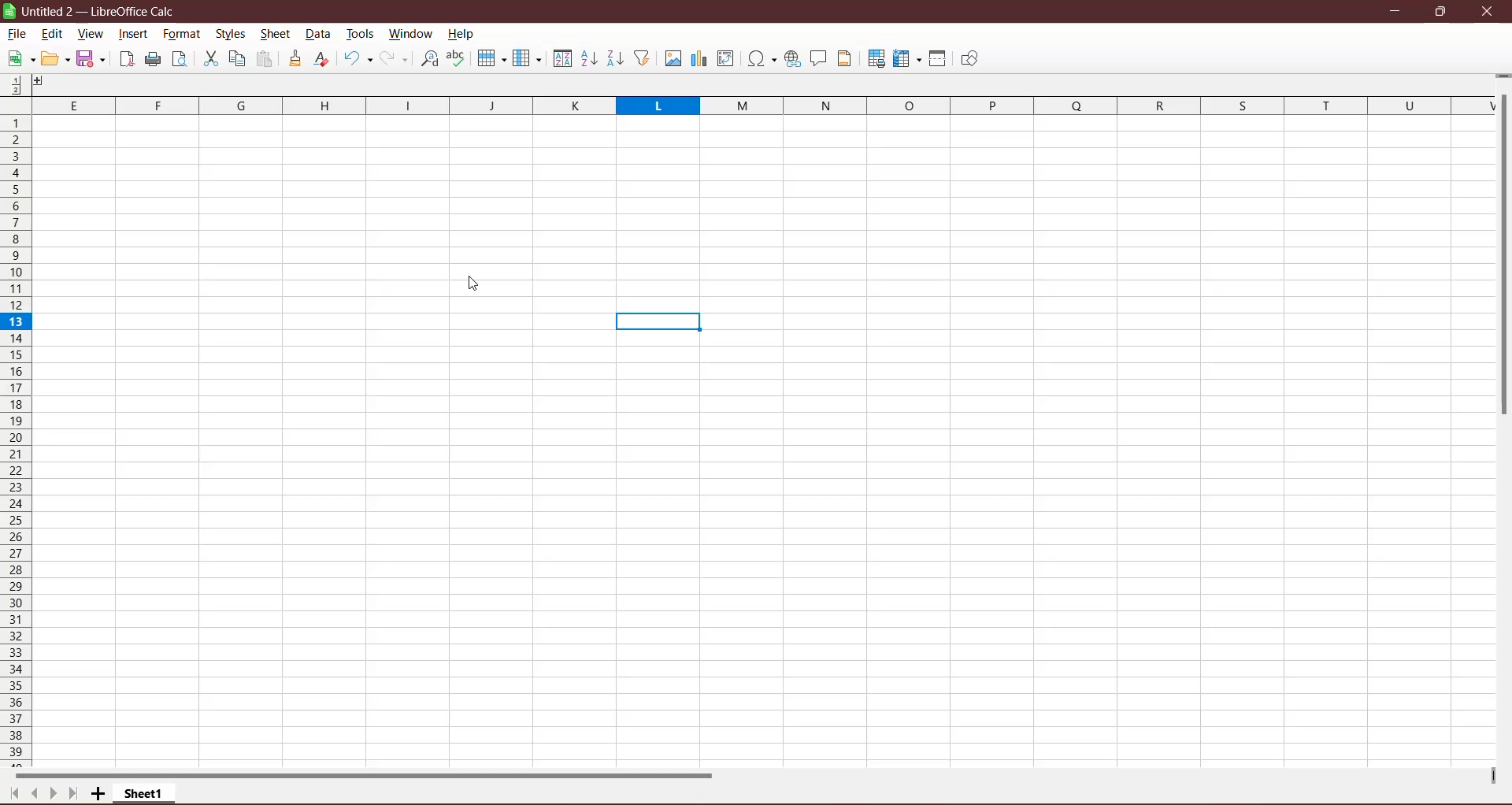  I want to click on Columns, so click(749, 104).